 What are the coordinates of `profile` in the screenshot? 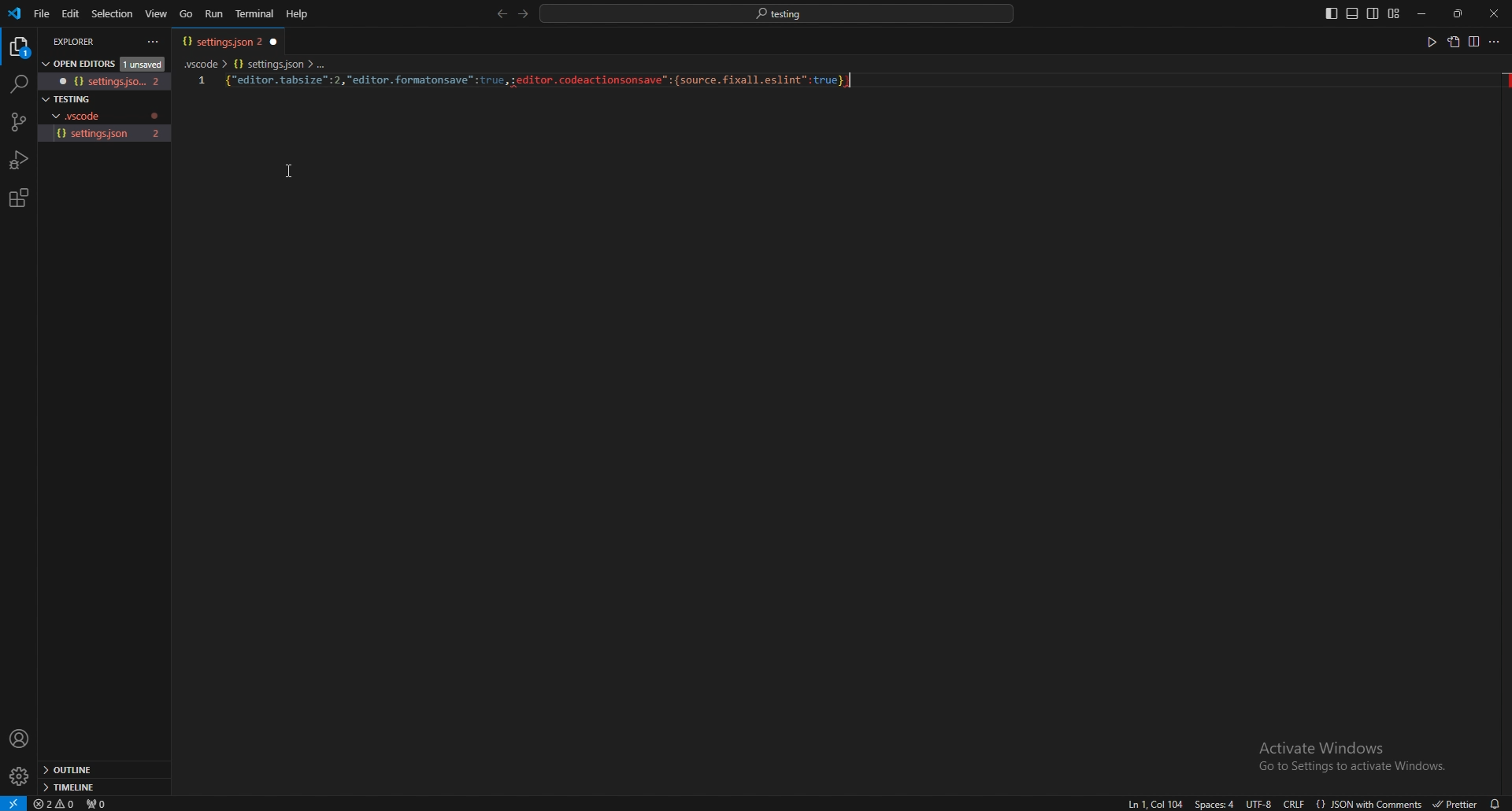 It's located at (20, 739).